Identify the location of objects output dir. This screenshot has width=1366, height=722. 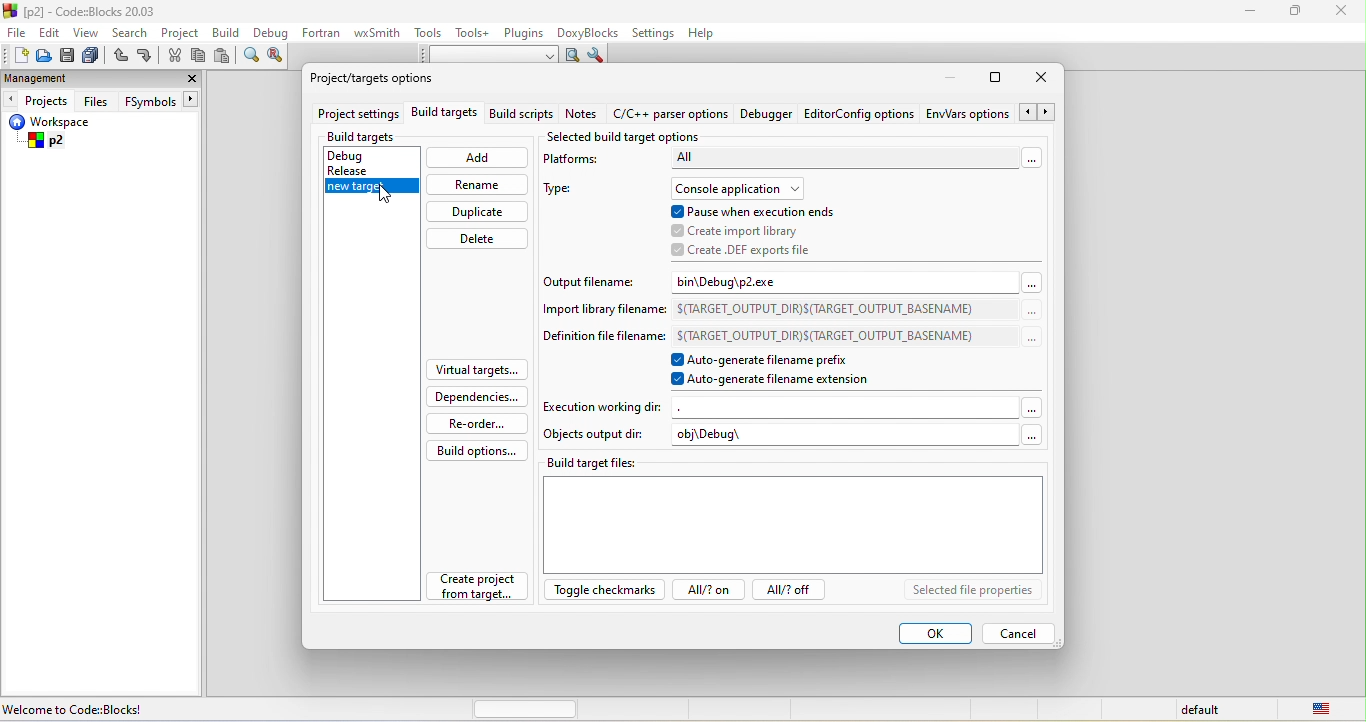
(596, 436).